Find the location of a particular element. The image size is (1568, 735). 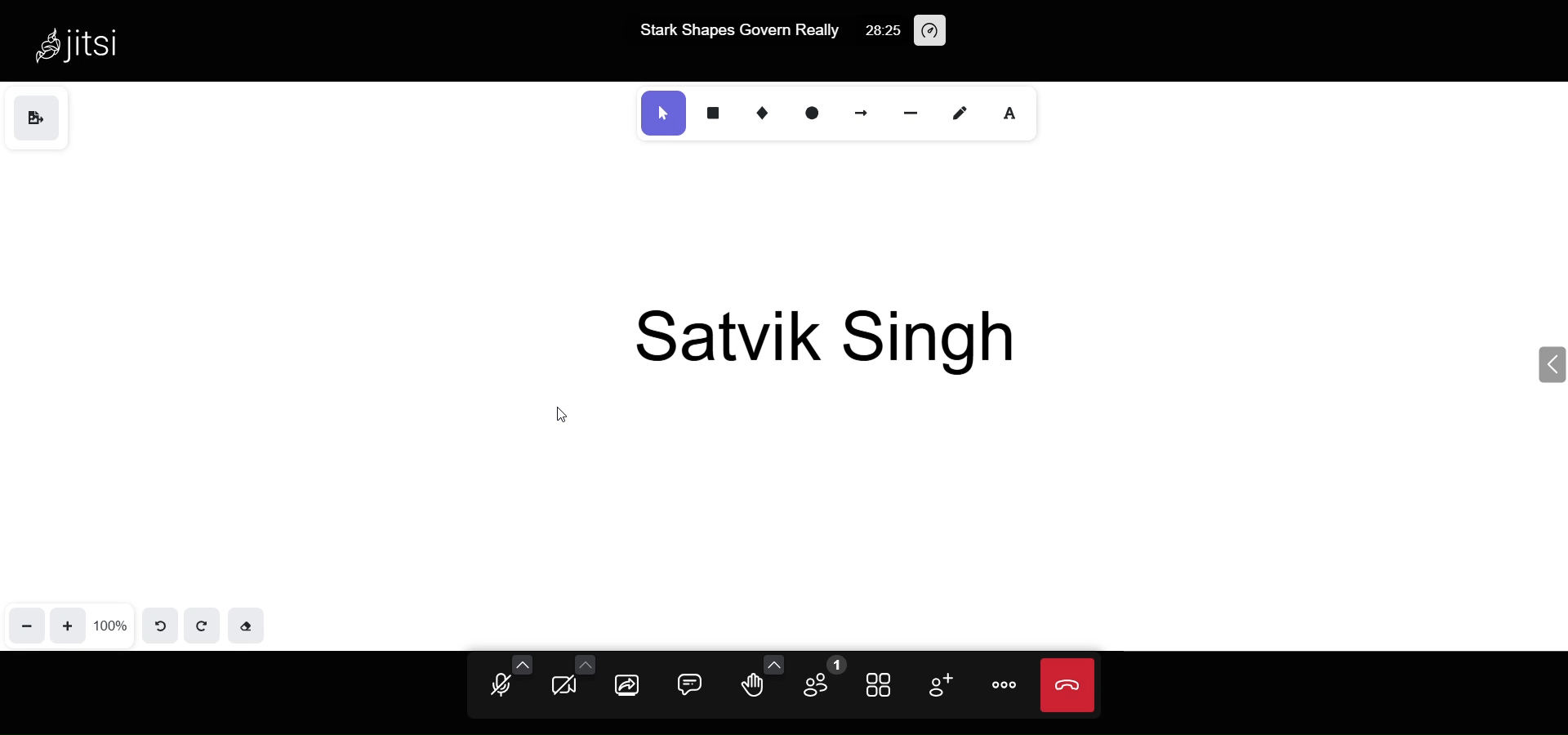

diamond is located at coordinates (761, 110).